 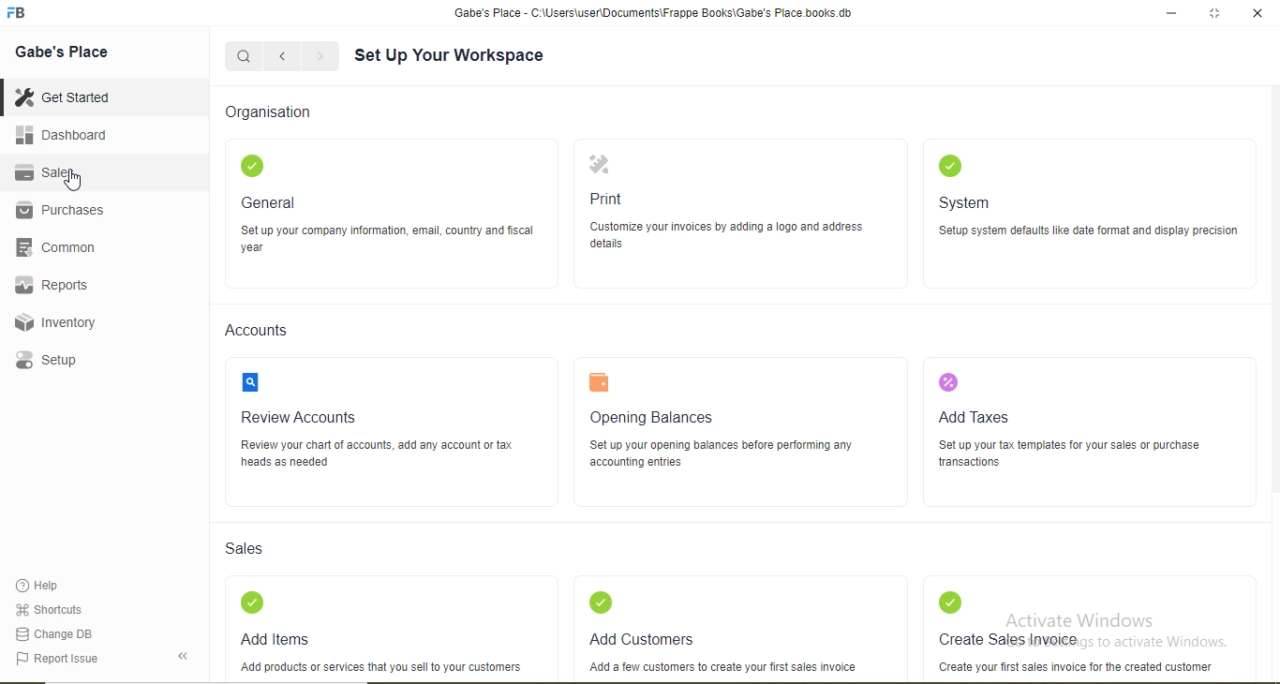 I want to click on back, so click(x=282, y=56).